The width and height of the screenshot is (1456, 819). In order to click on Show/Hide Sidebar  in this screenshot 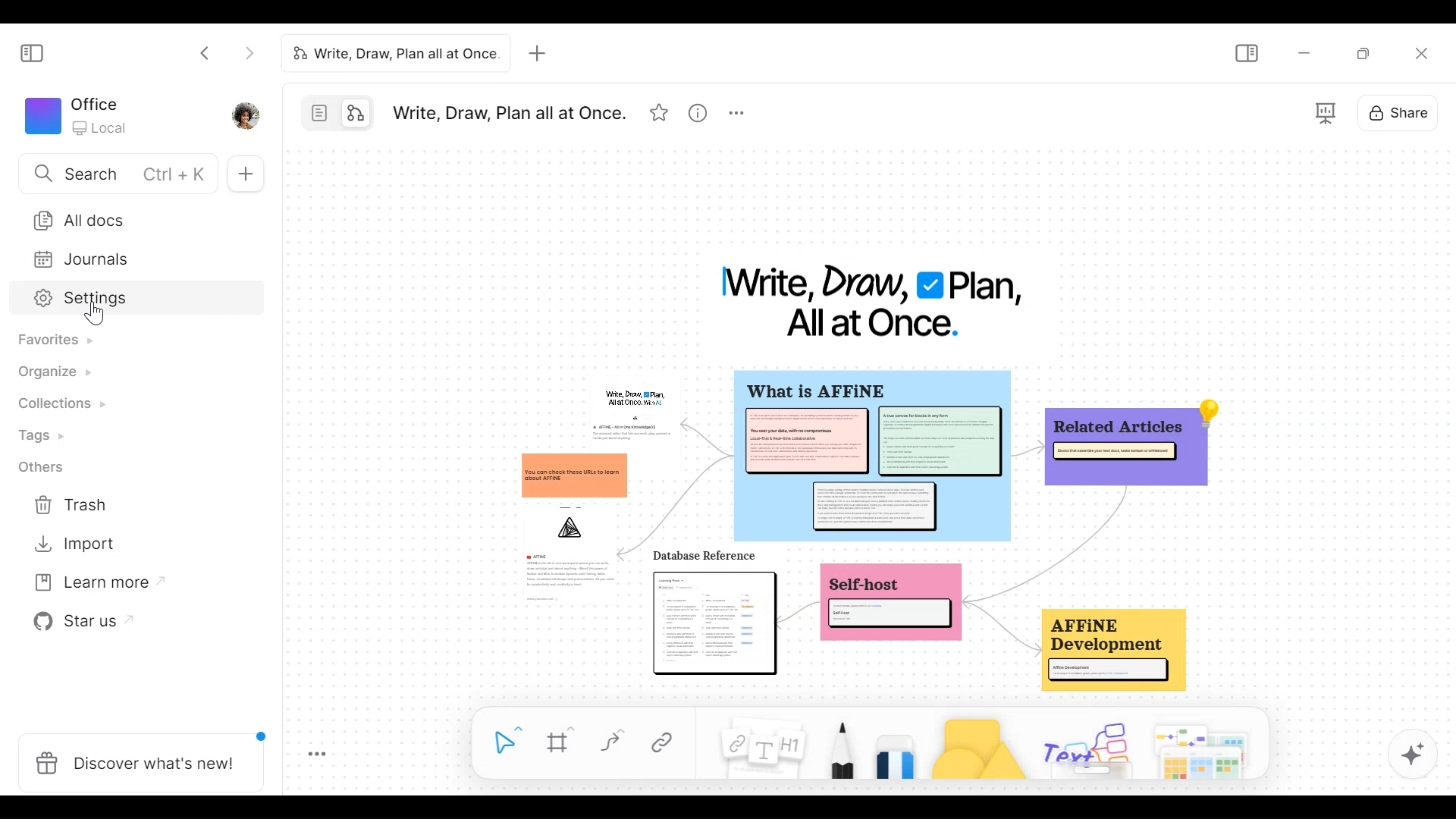, I will do `click(1248, 51)`.